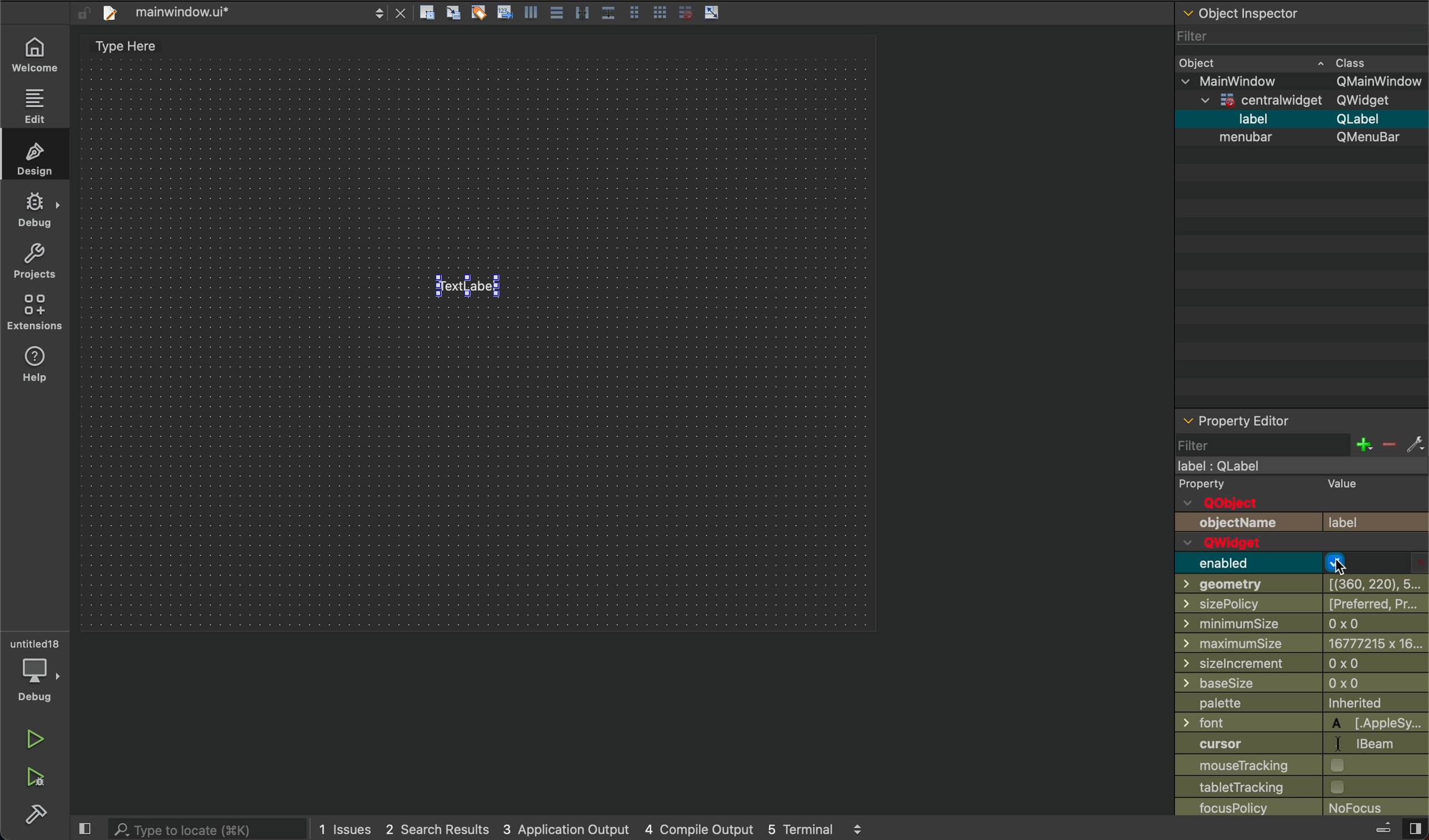 Image resolution: width=1429 pixels, height=840 pixels. What do you see at coordinates (1236, 682) in the screenshot?
I see `baseSize` at bounding box center [1236, 682].